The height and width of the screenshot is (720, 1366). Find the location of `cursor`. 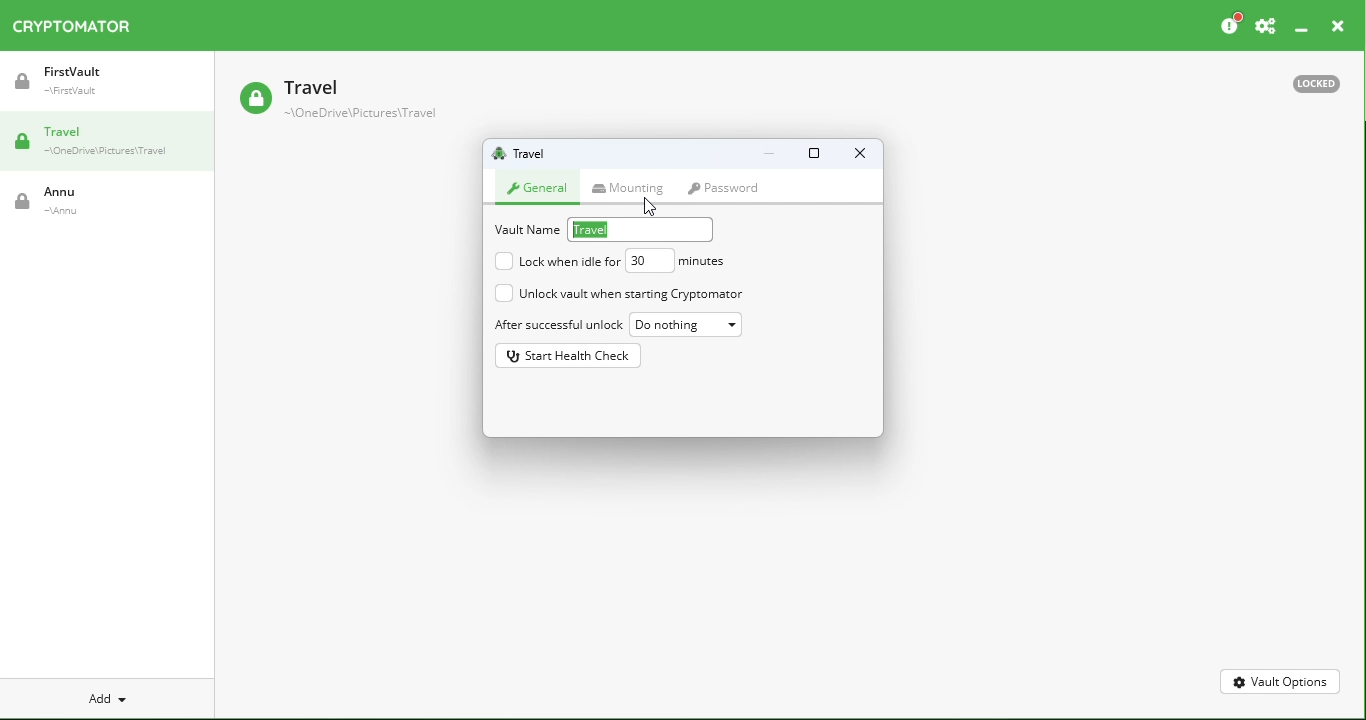

cursor is located at coordinates (651, 206).